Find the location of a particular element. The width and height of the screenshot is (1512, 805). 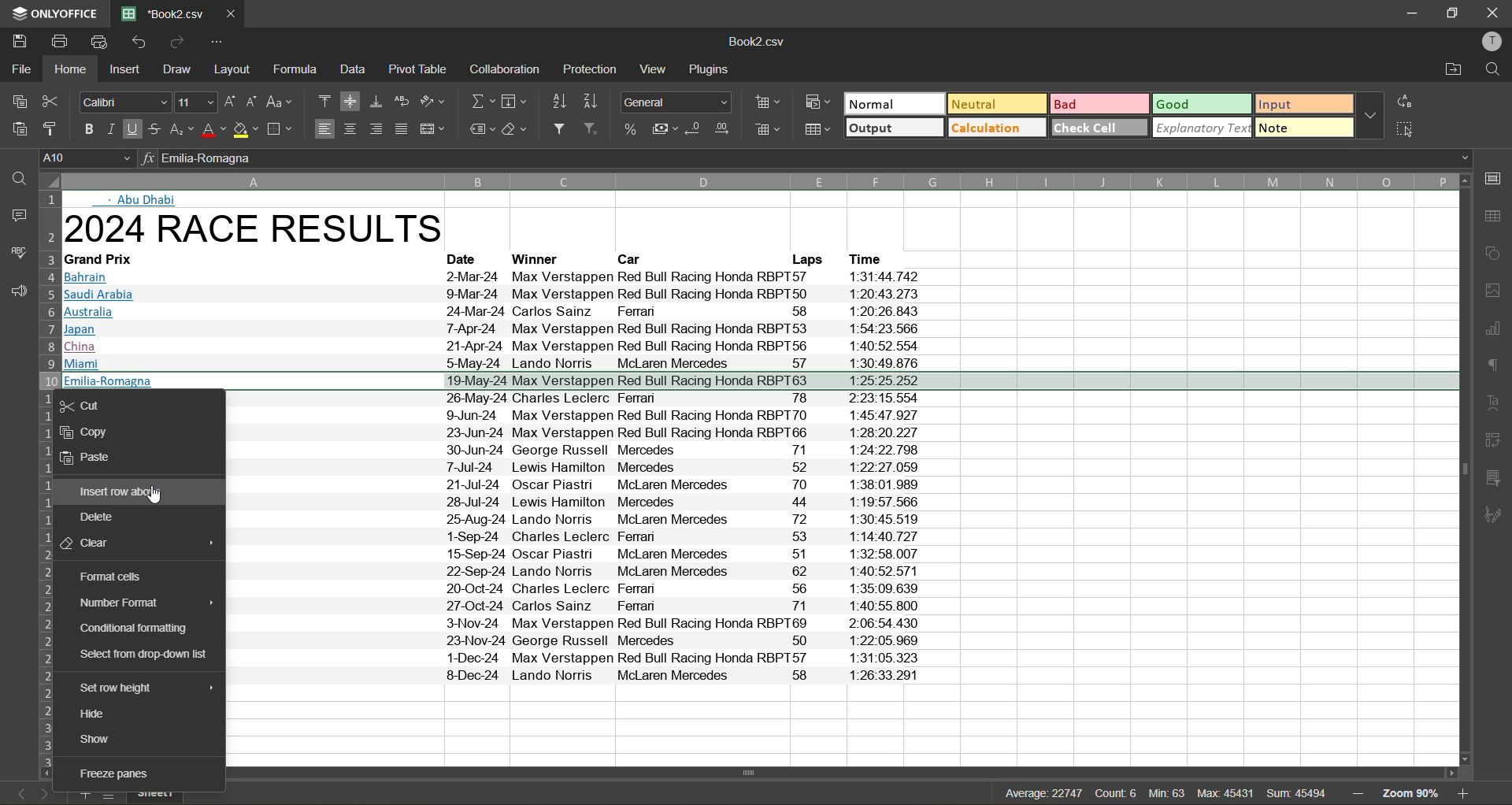

Hungary 21-Jul-24 Oscar Fiastn McLaren Mercedes 710 1:38:01.989 is located at coordinates (575, 485).